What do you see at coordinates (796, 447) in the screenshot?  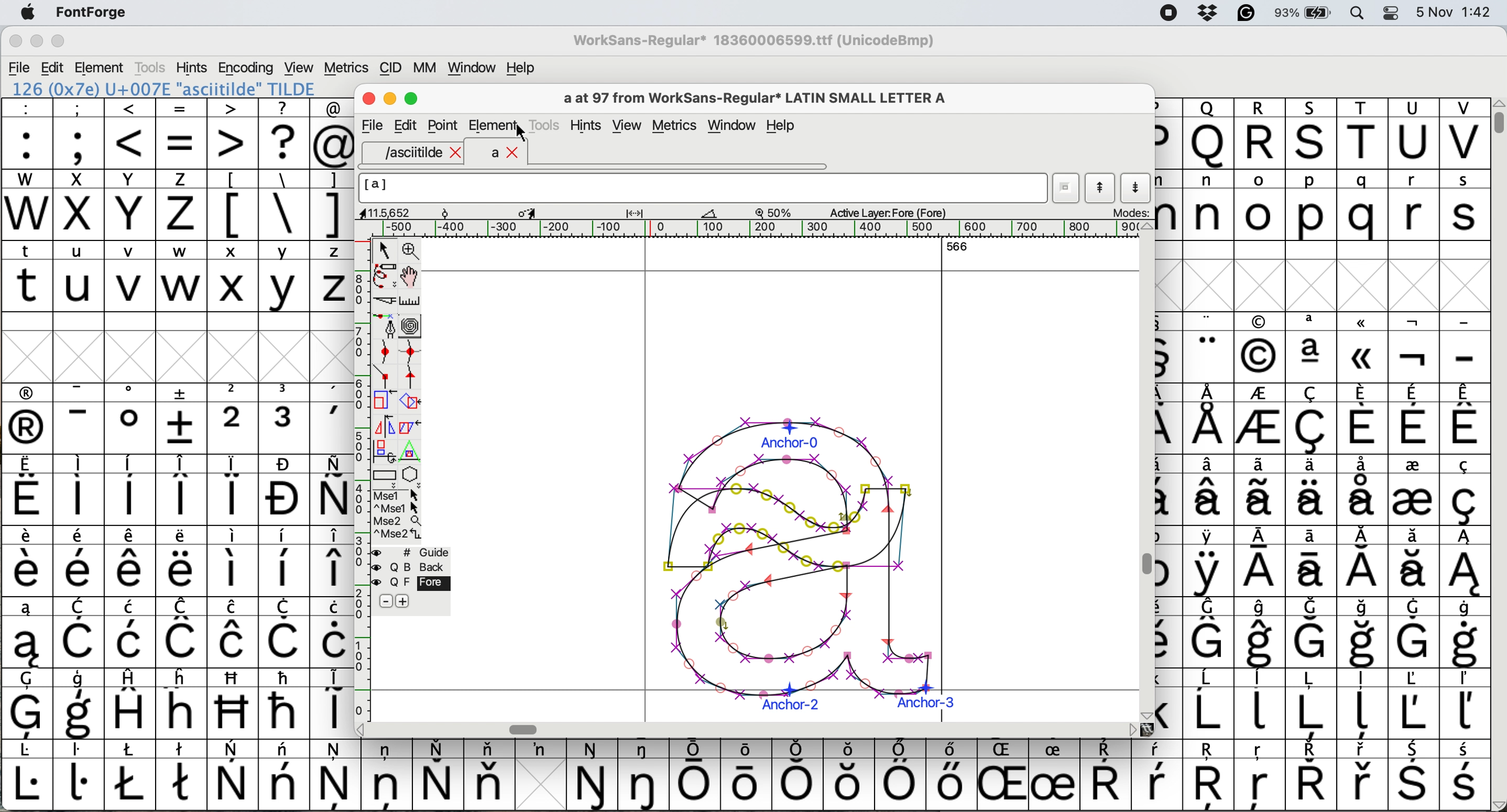 I see `a glyph` at bounding box center [796, 447].